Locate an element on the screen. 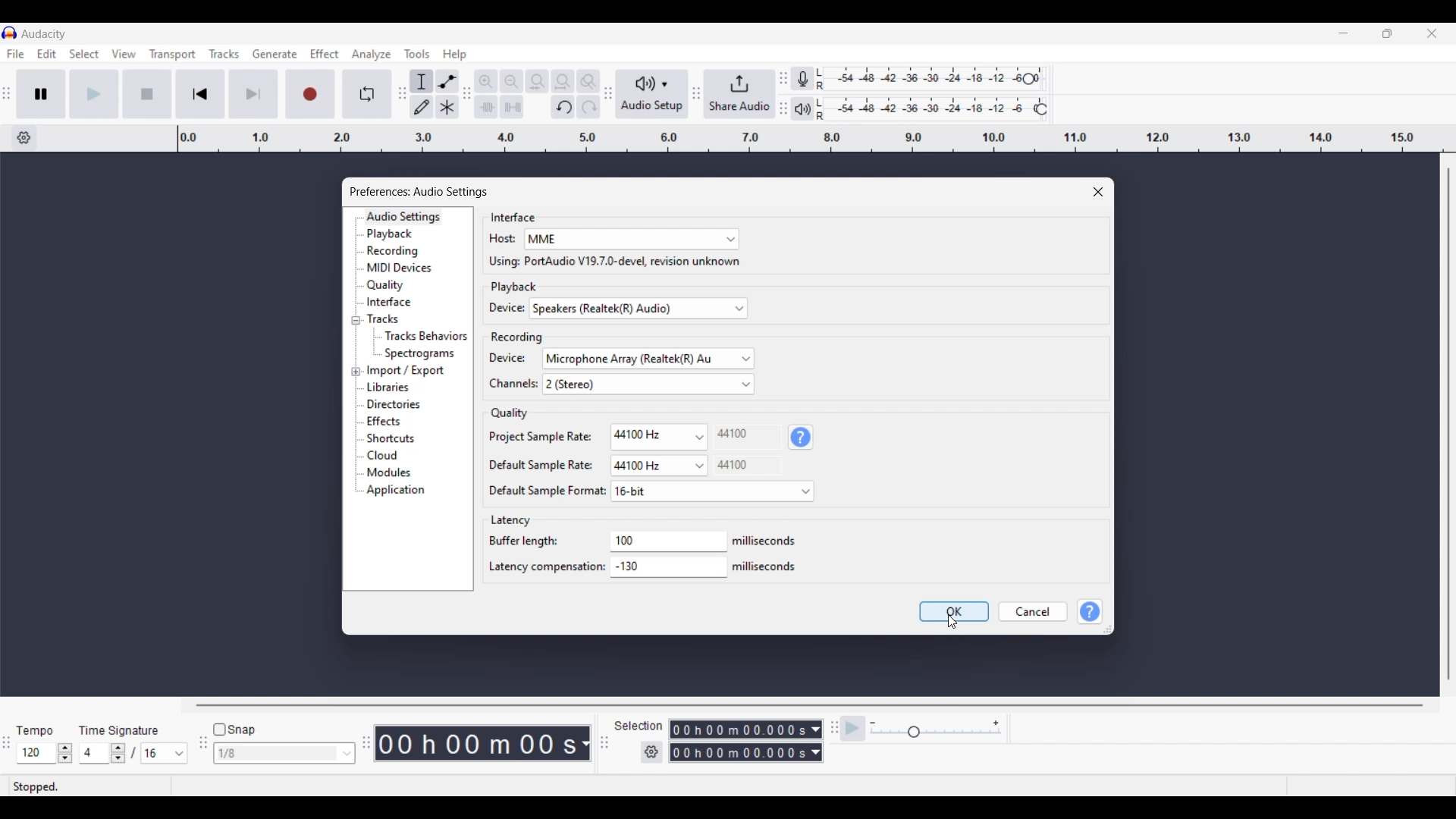  Metric options to record duration is located at coordinates (814, 742).